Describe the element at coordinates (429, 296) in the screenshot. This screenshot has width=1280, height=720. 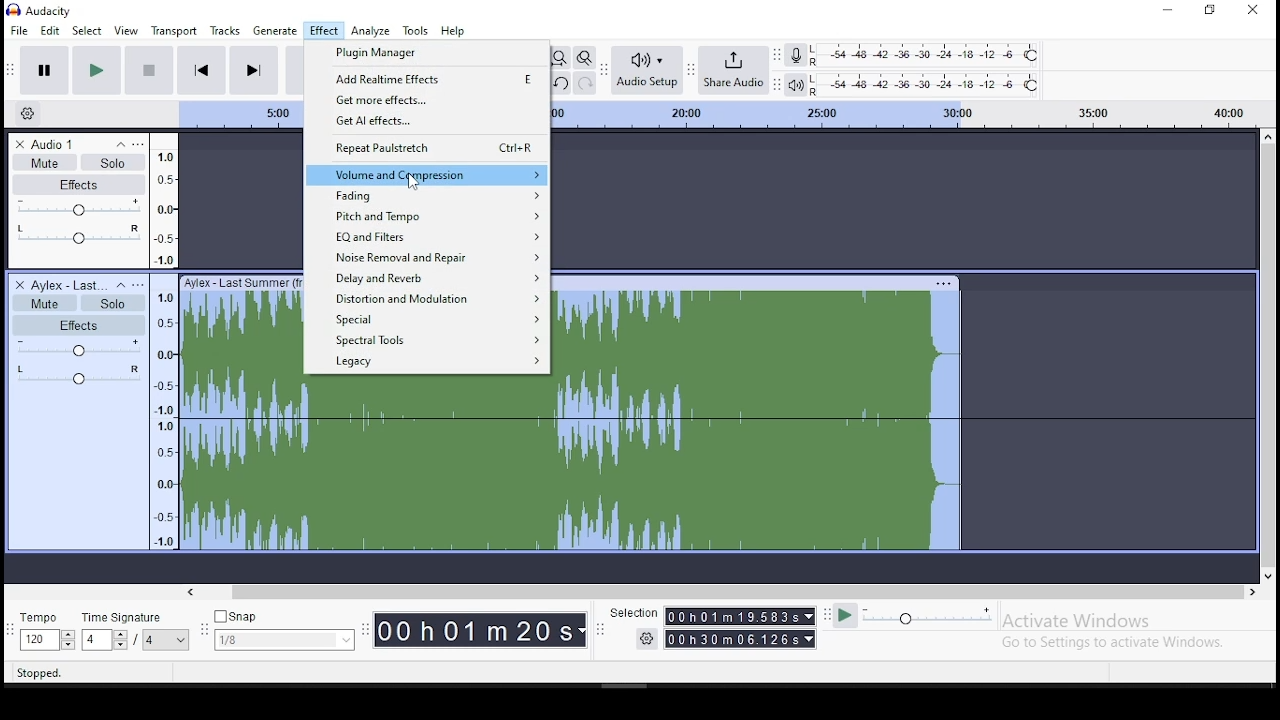
I see `distortion and modulation` at that location.